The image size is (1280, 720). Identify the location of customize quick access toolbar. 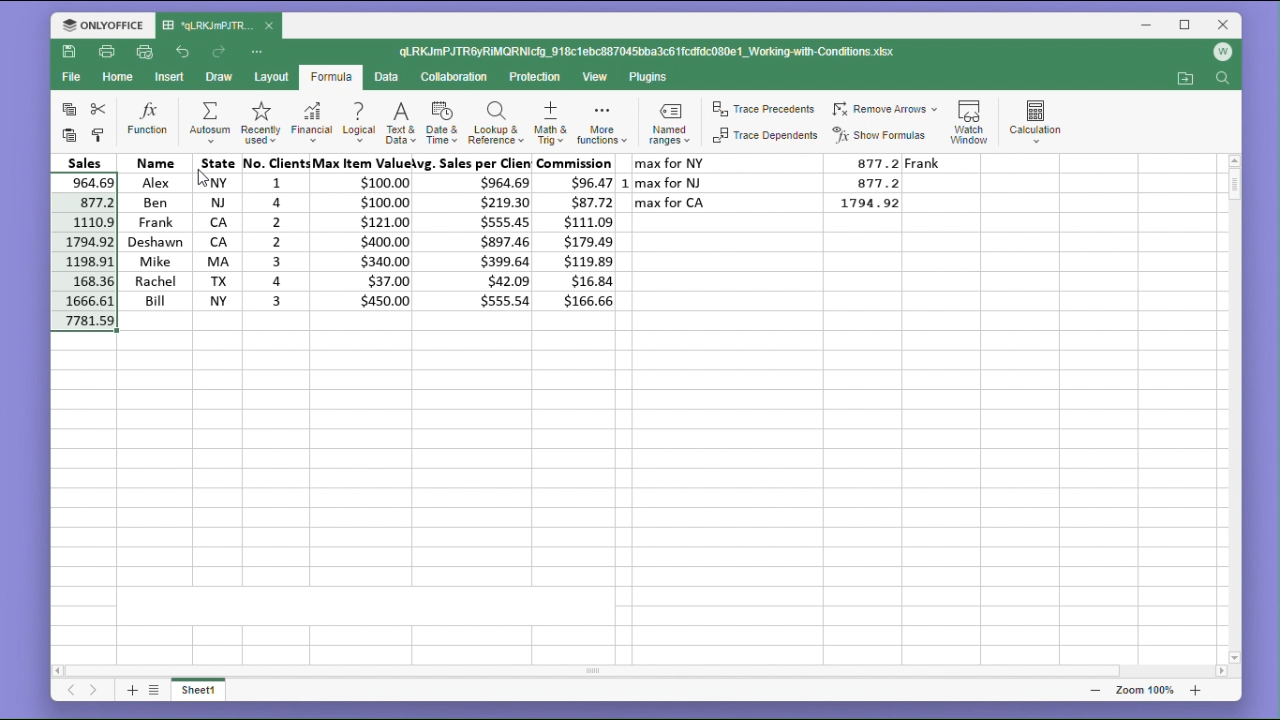
(264, 51).